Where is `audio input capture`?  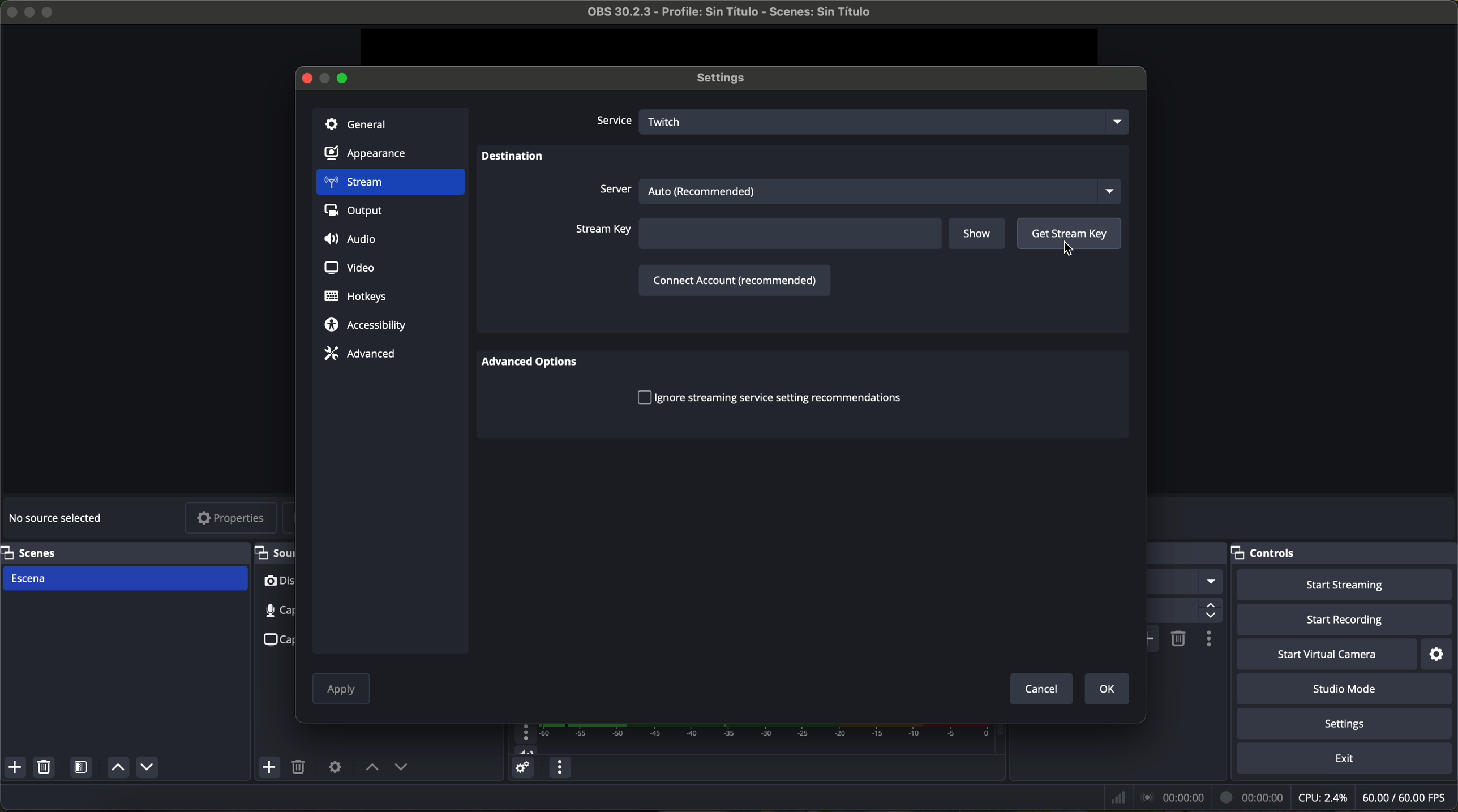 audio input capture is located at coordinates (271, 611).